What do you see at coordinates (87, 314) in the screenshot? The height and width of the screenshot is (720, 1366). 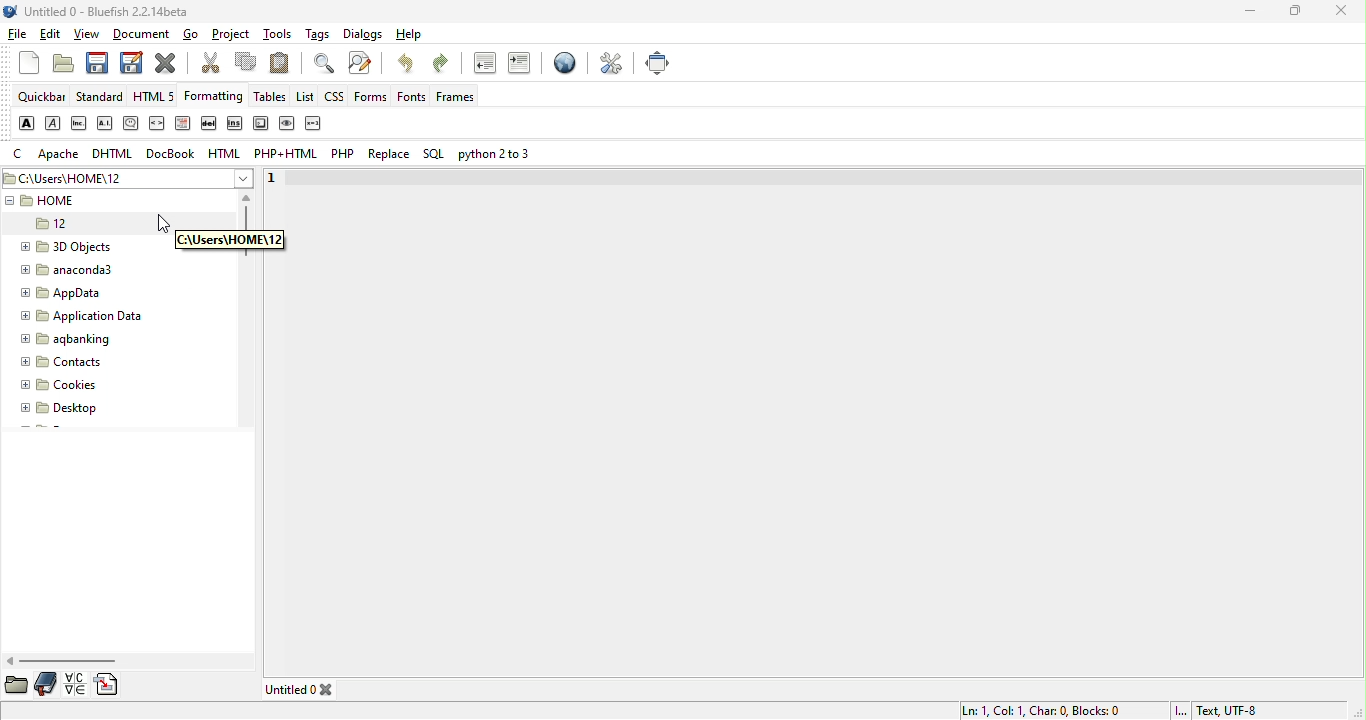 I see `application data` at bounding box center [87, 314].